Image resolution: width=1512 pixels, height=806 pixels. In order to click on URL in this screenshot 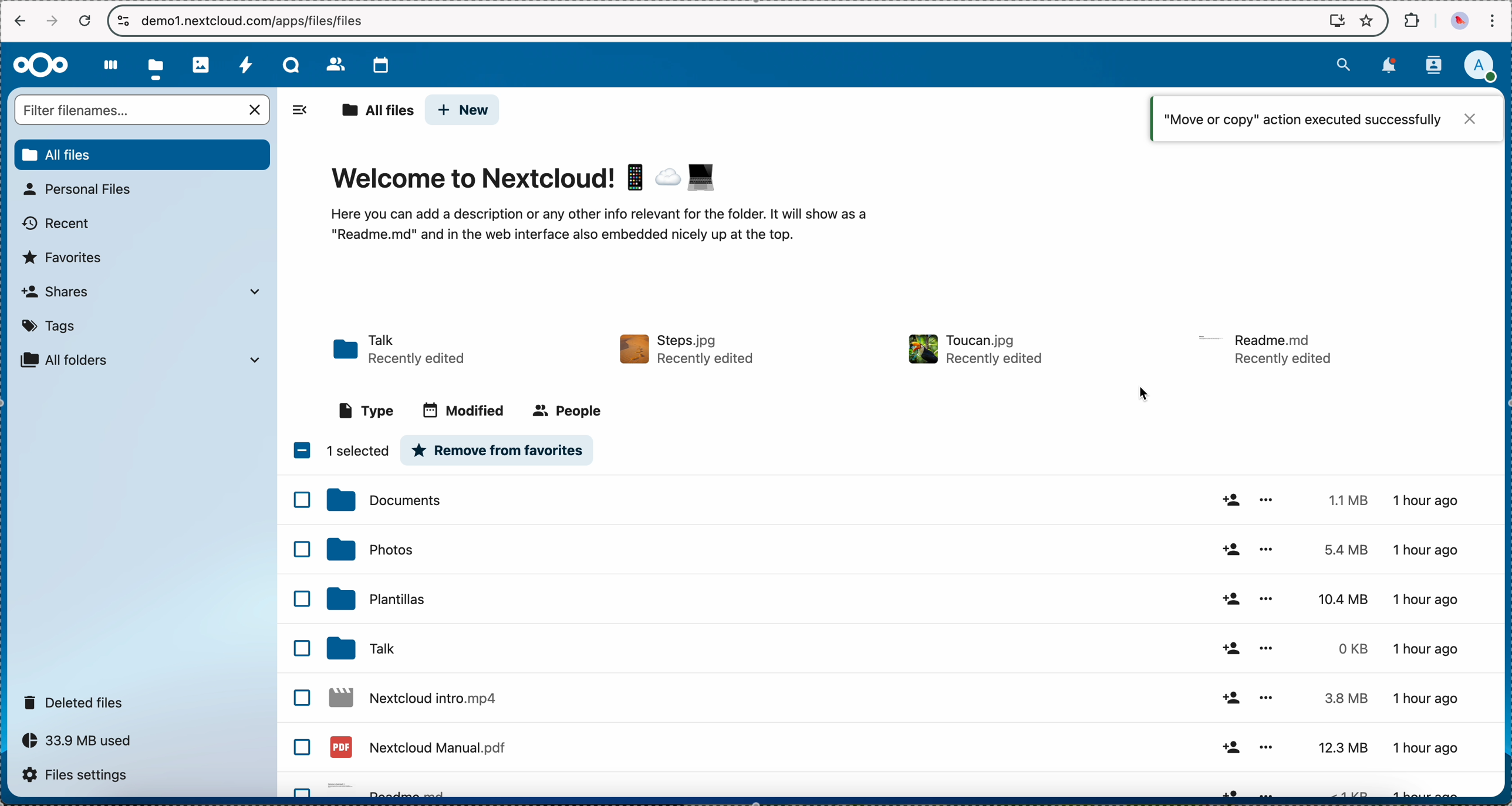, I will do `click(256, 20)`.